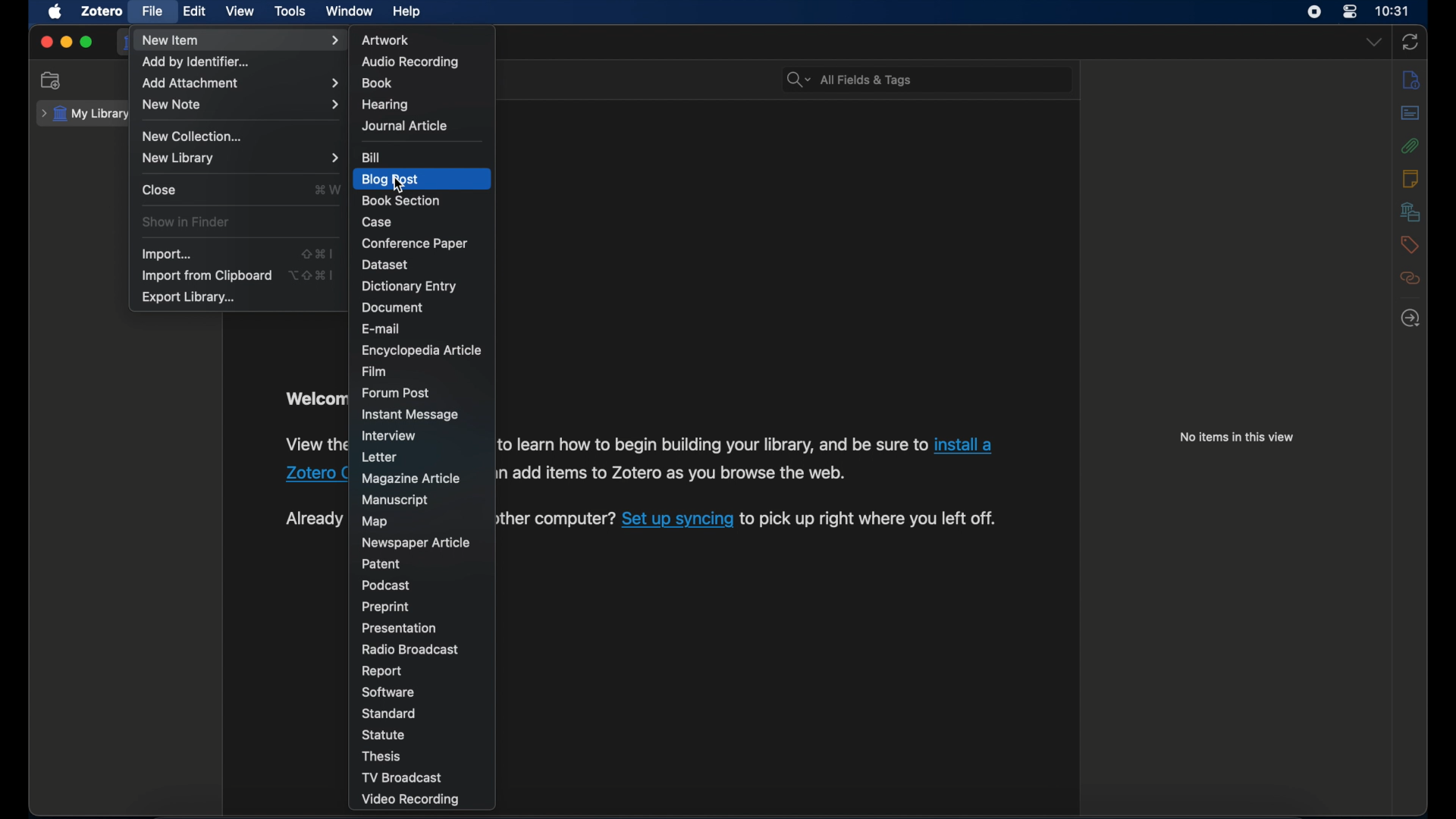 This screenshot has height=819, width=1456. I want to click on import from clipboard, so click(206, 276).